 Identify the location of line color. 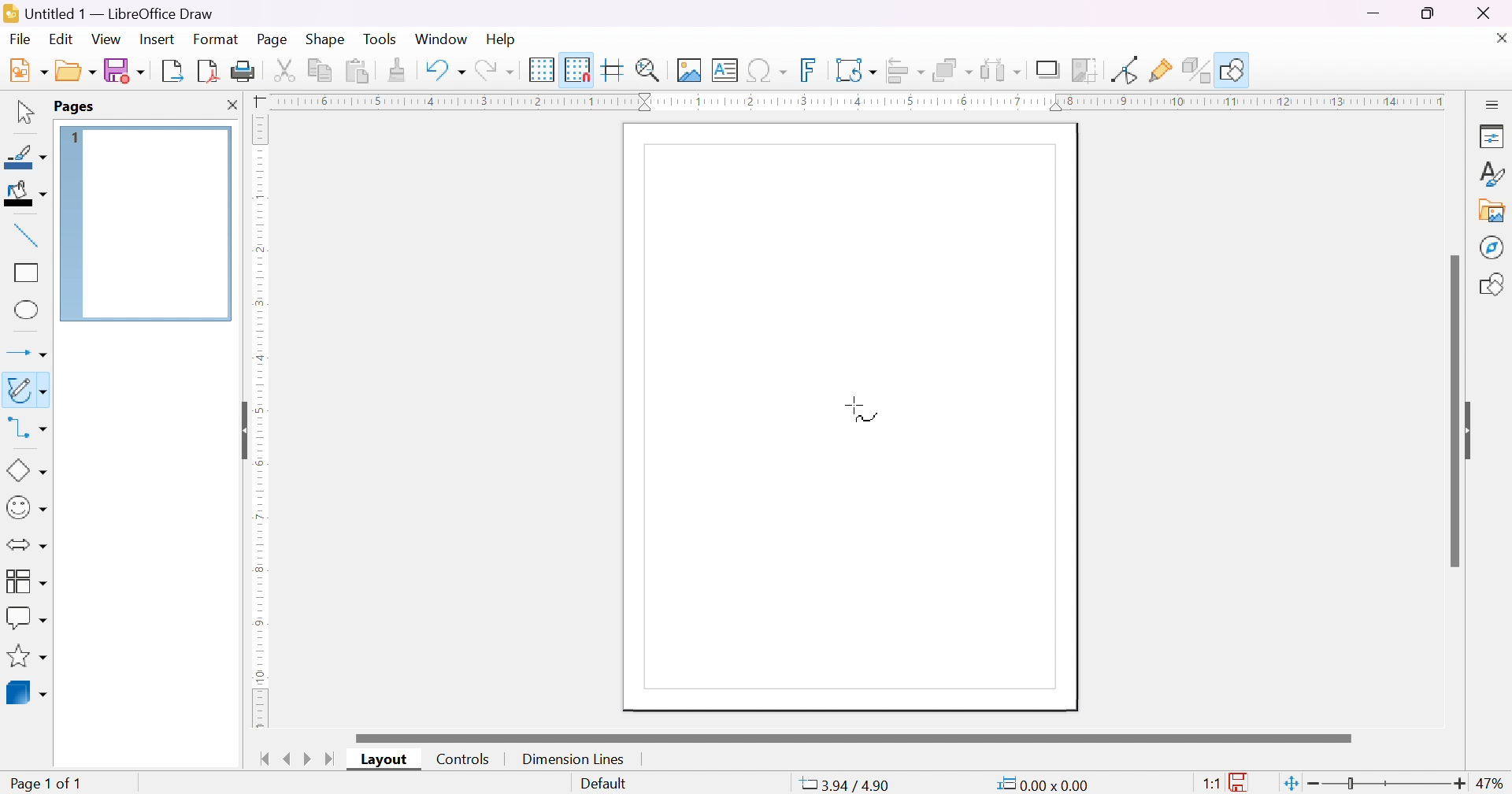
(26, 157).